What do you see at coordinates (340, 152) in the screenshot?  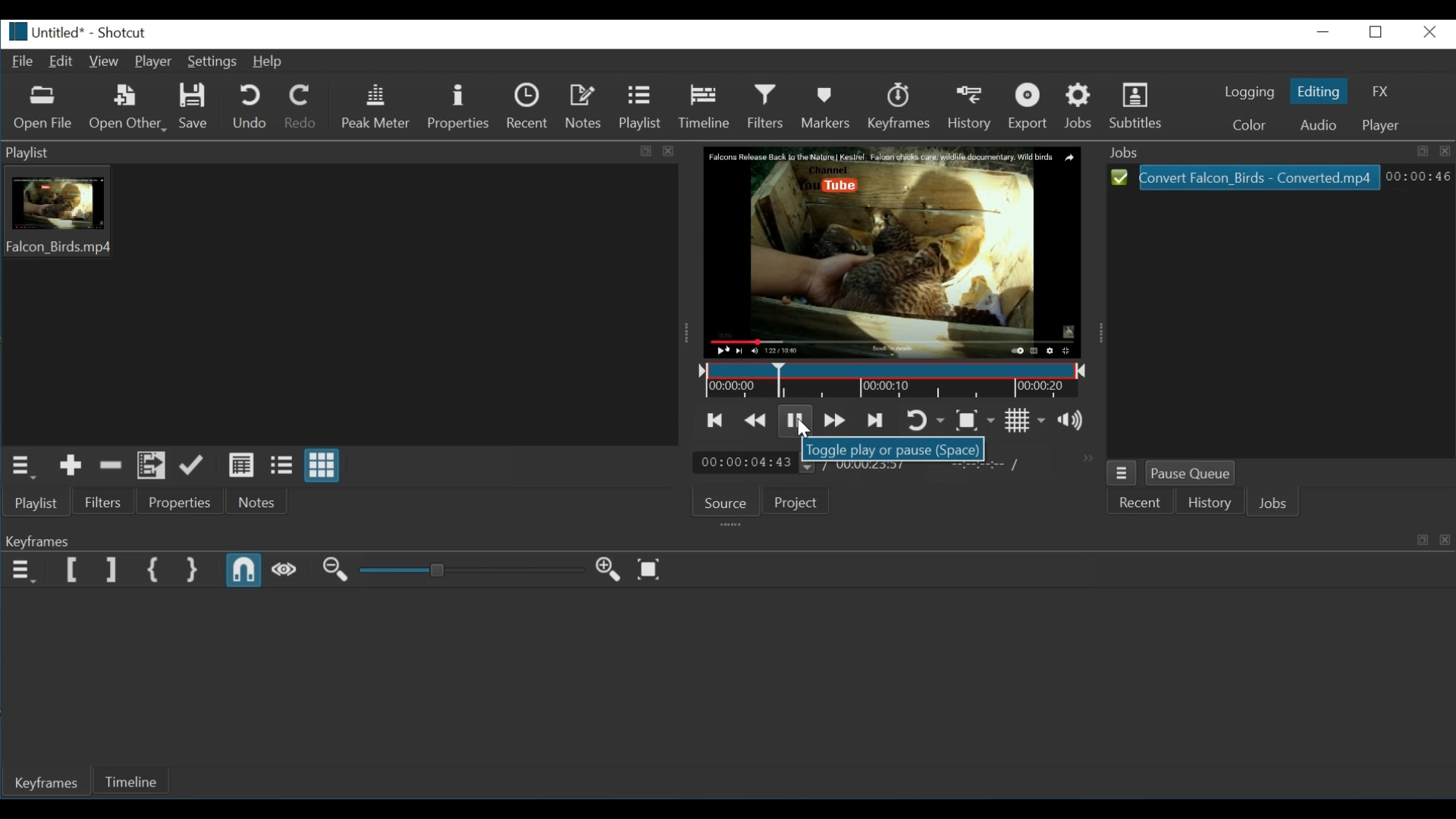 I see `Playlist` at bounding box center [340, 152].